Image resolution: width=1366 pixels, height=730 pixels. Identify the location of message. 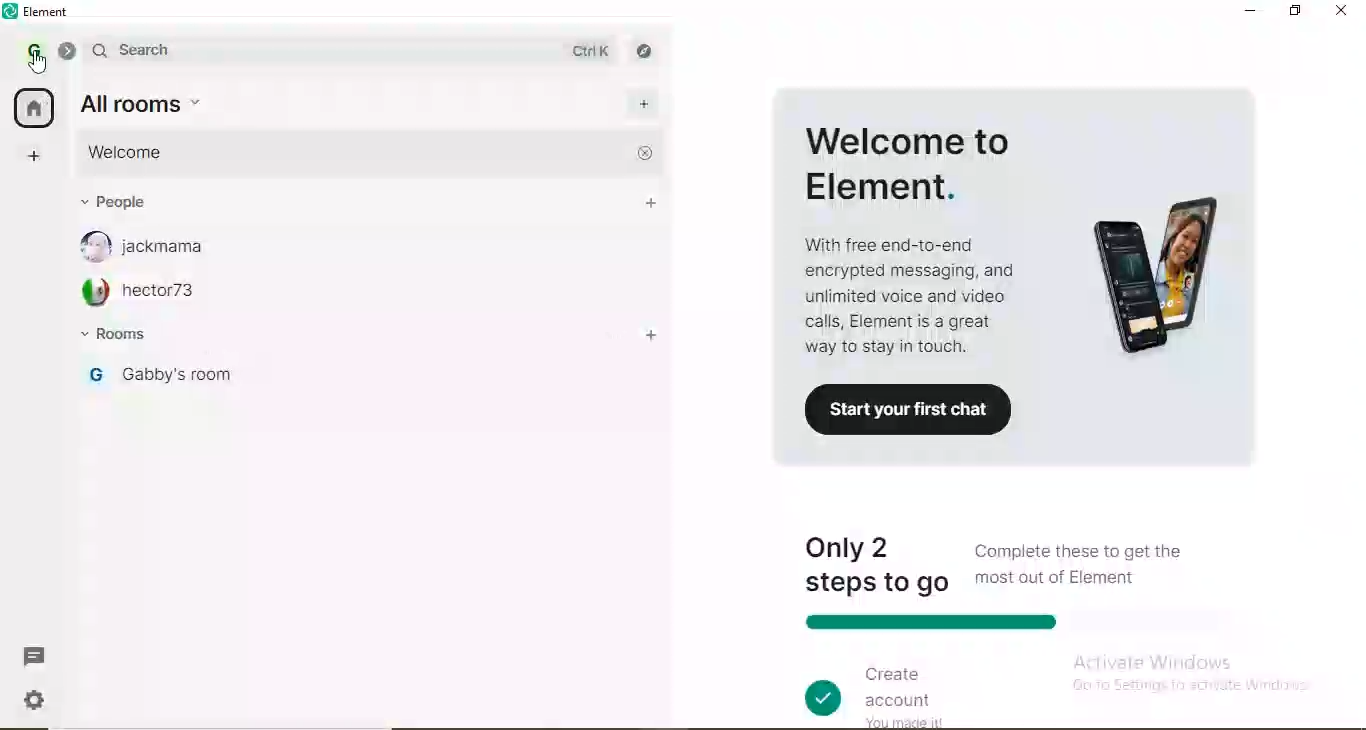
(40, 660).